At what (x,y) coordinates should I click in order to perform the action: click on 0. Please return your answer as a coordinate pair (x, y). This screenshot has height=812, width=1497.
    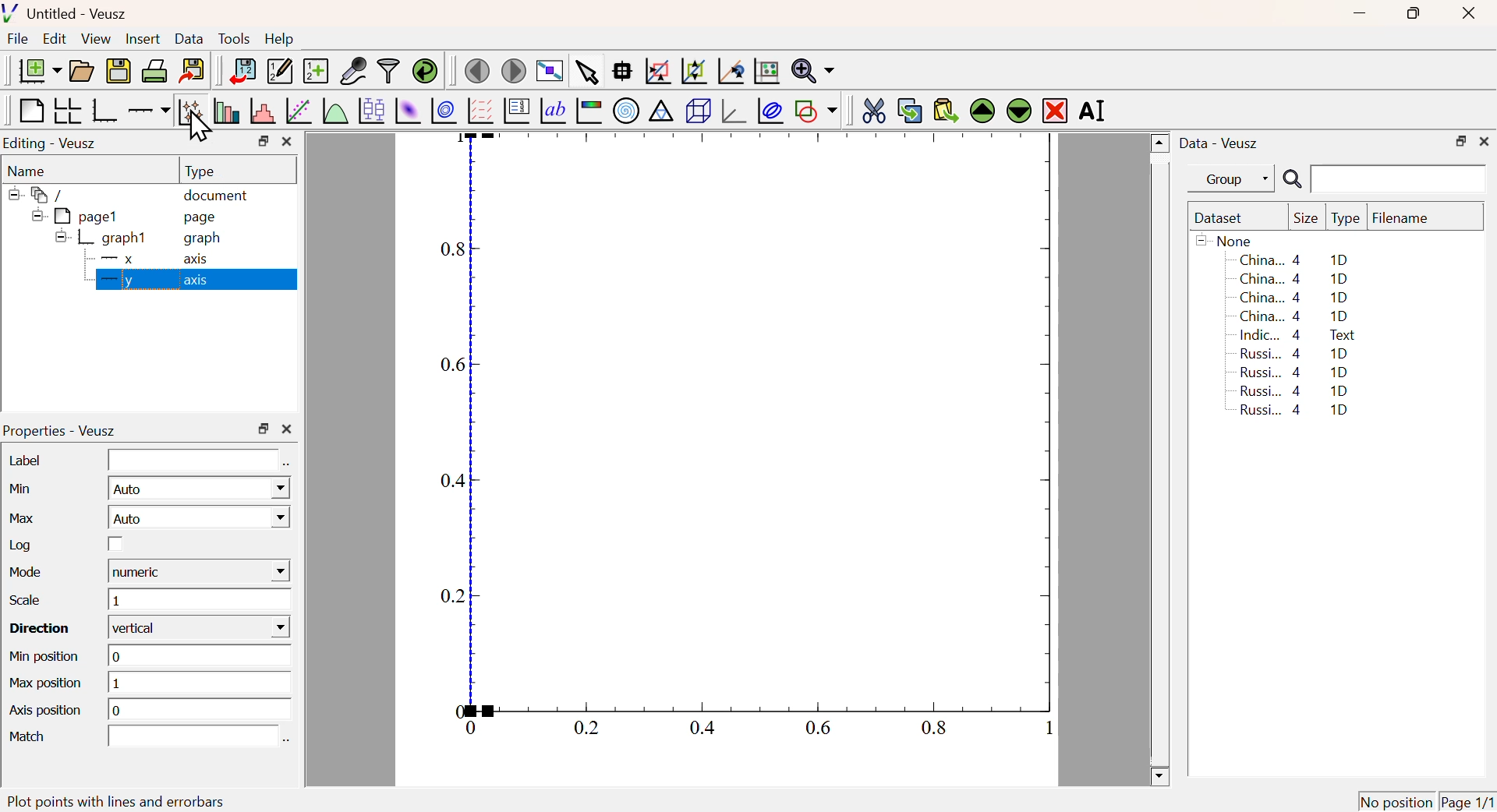
    Looking at the image, I should click on (203, 655).